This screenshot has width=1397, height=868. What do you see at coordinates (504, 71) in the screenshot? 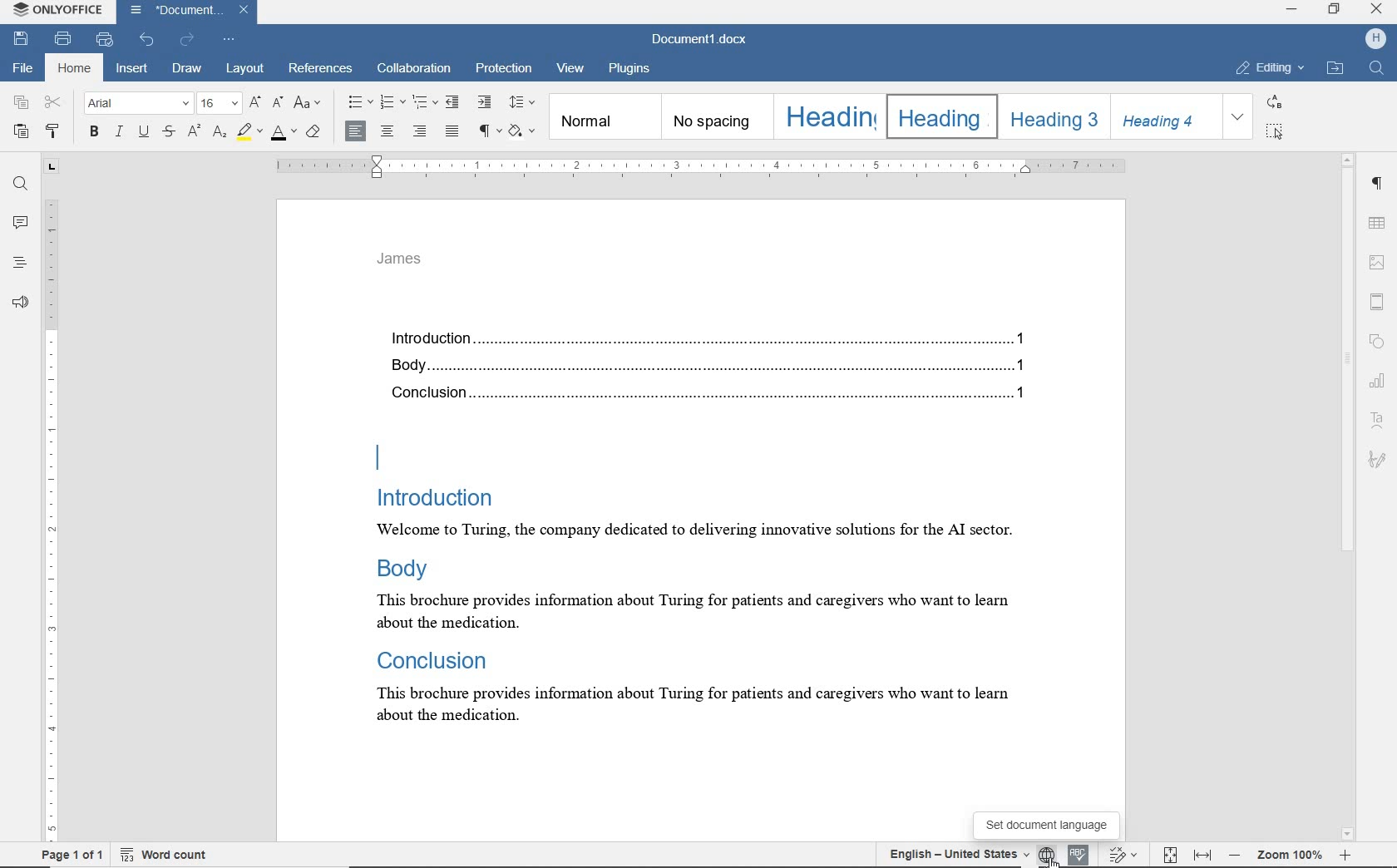
I see `protection` at bounding box center [504, 71].